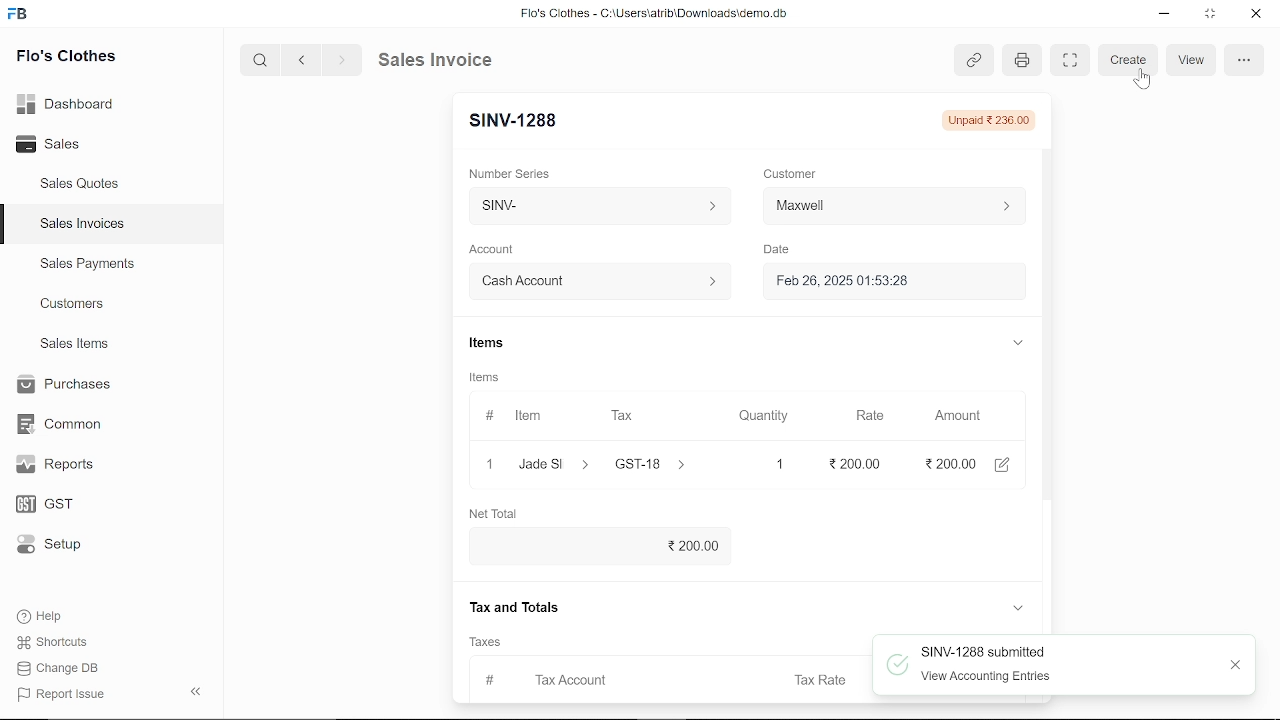 The image size is (1280, 720). I want to click on Quantity, so click(759, 417).